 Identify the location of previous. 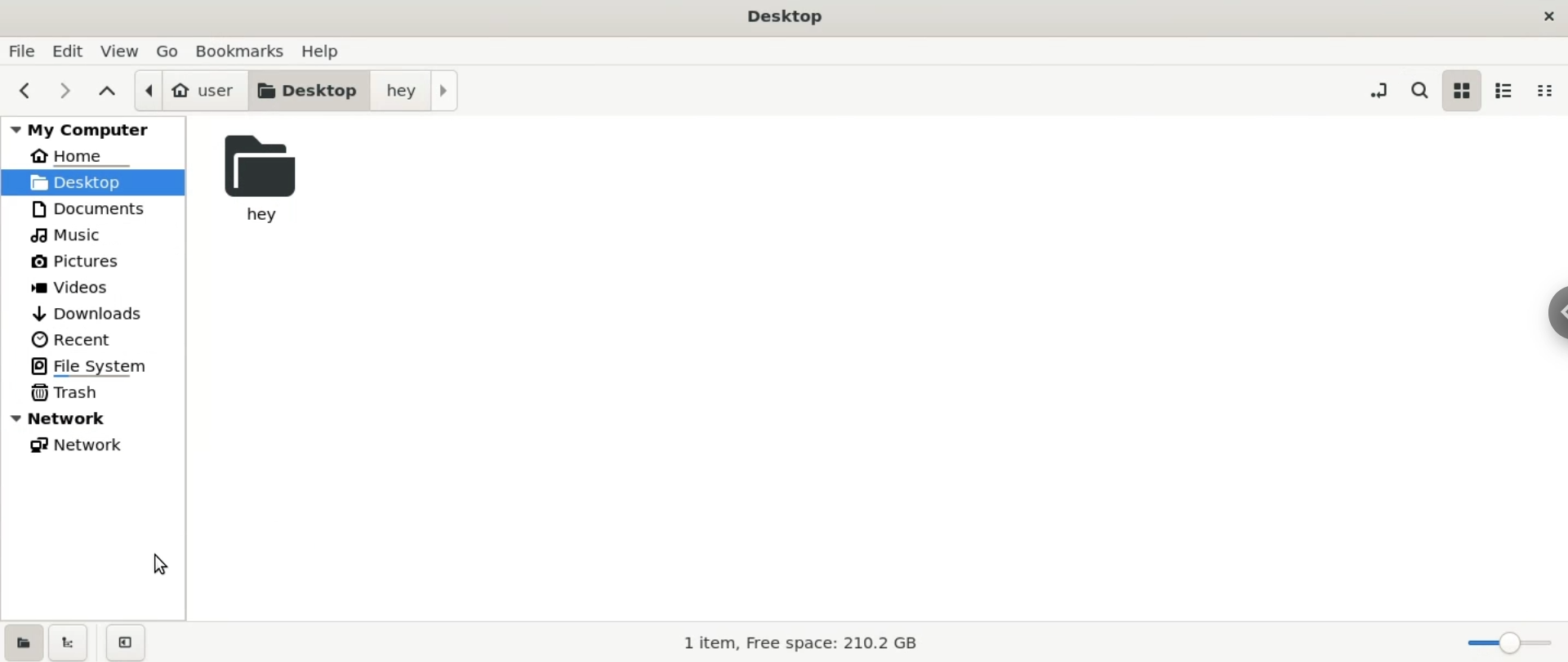
(23, 92).